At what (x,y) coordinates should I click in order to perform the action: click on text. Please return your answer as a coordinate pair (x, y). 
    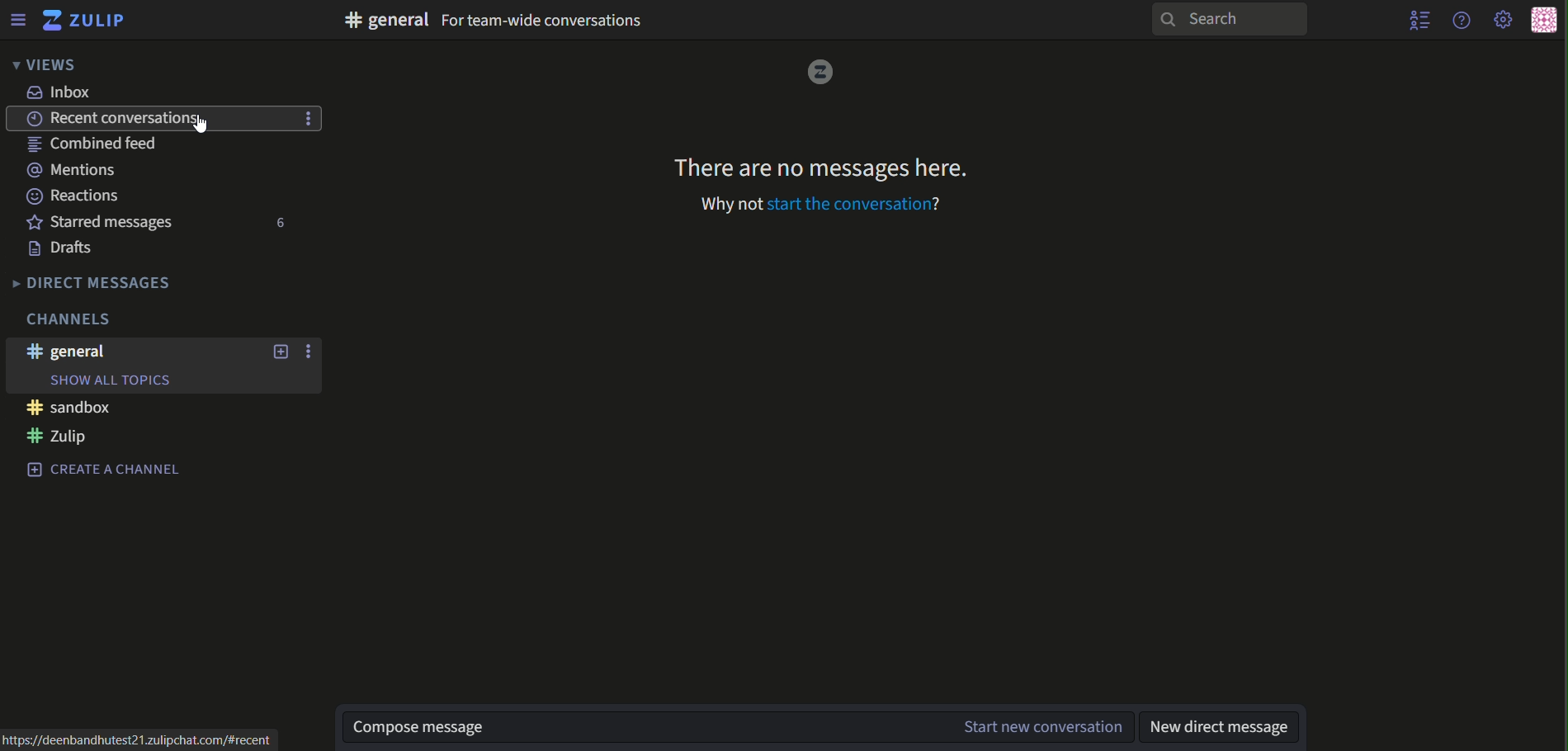
    Looking at the image, I should click on (67, 249).